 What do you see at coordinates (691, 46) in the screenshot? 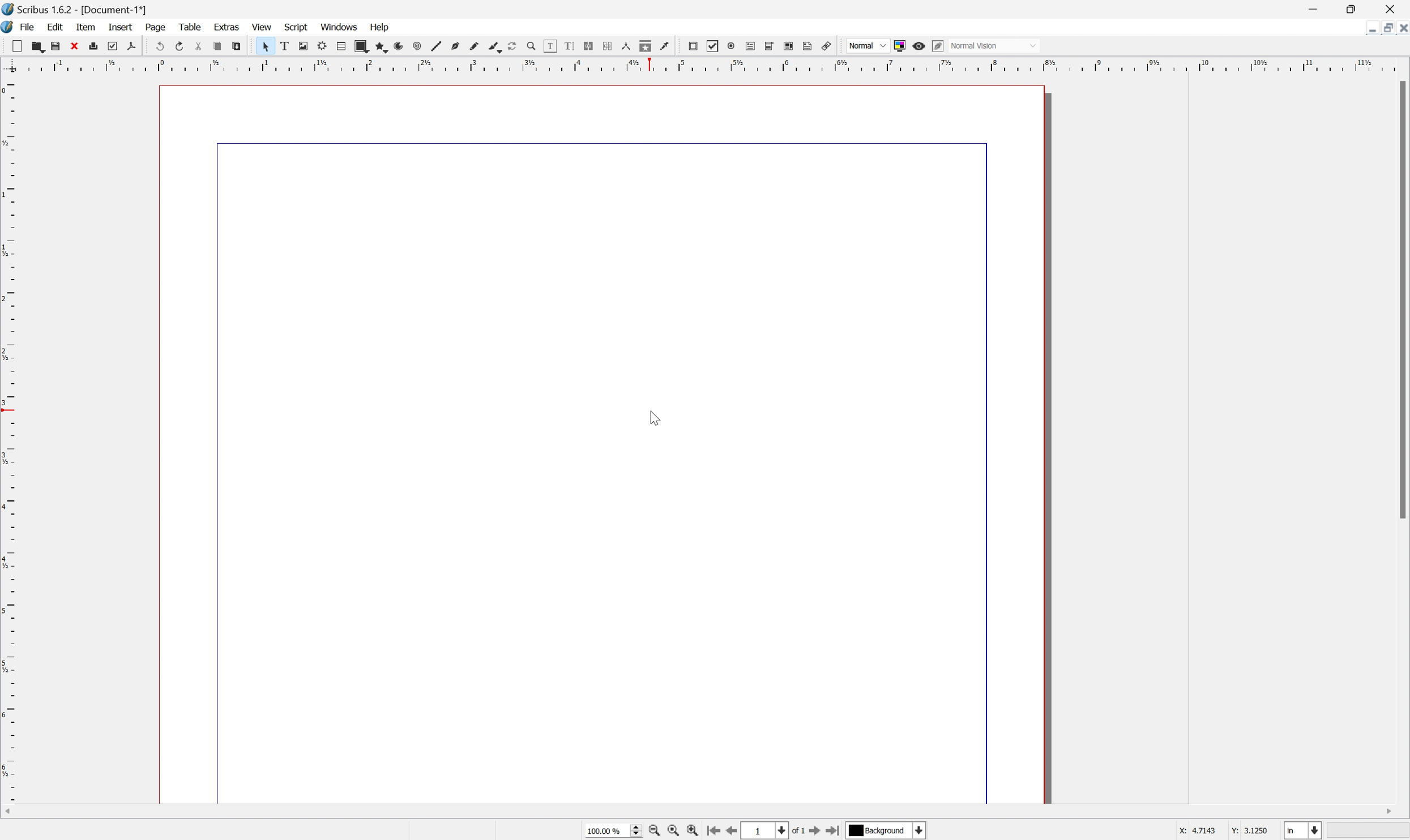
I see `PDF push button` at bounding box center [691, 46].